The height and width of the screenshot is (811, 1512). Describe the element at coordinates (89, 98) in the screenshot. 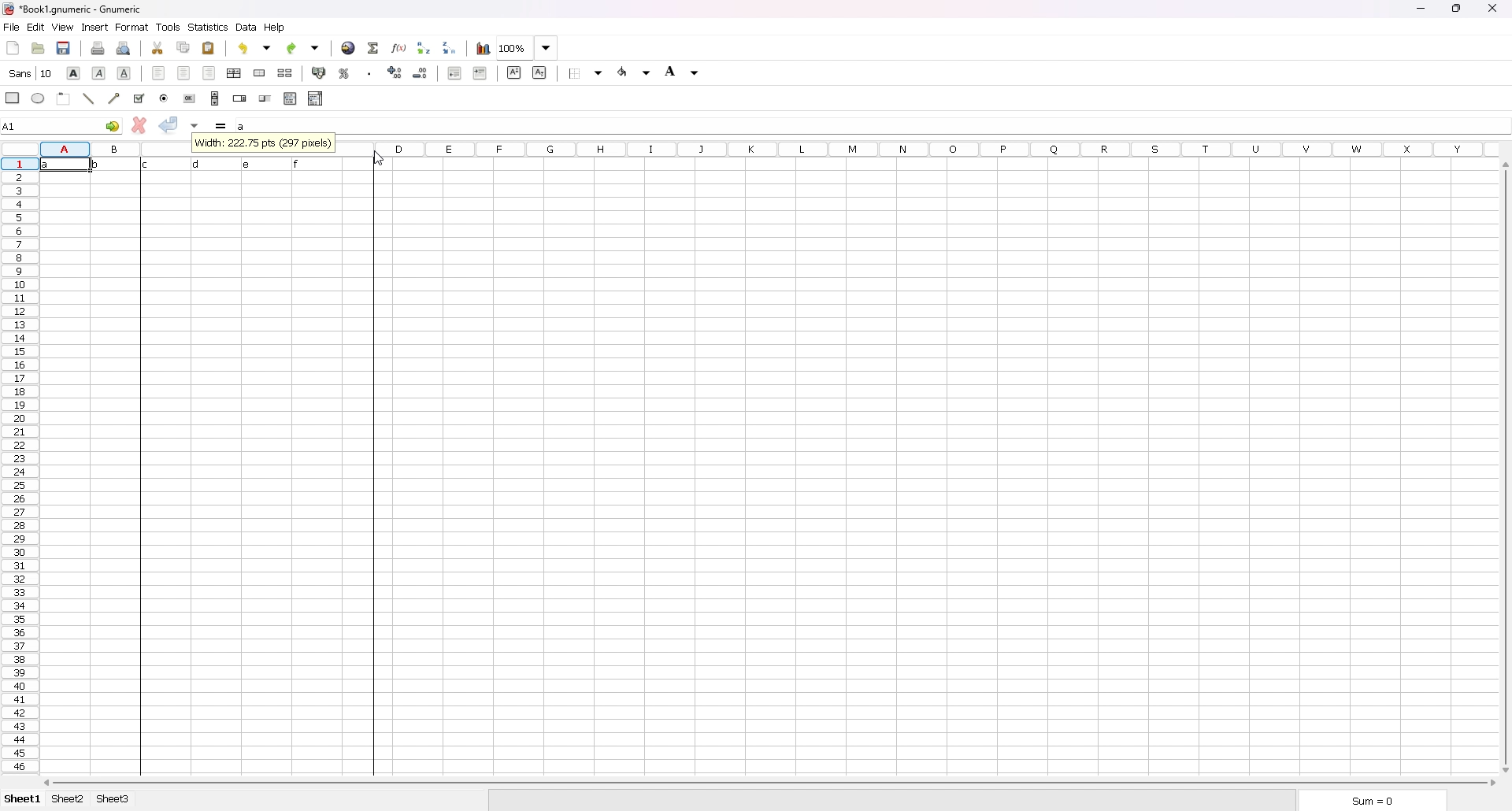

I see `line` at that location.